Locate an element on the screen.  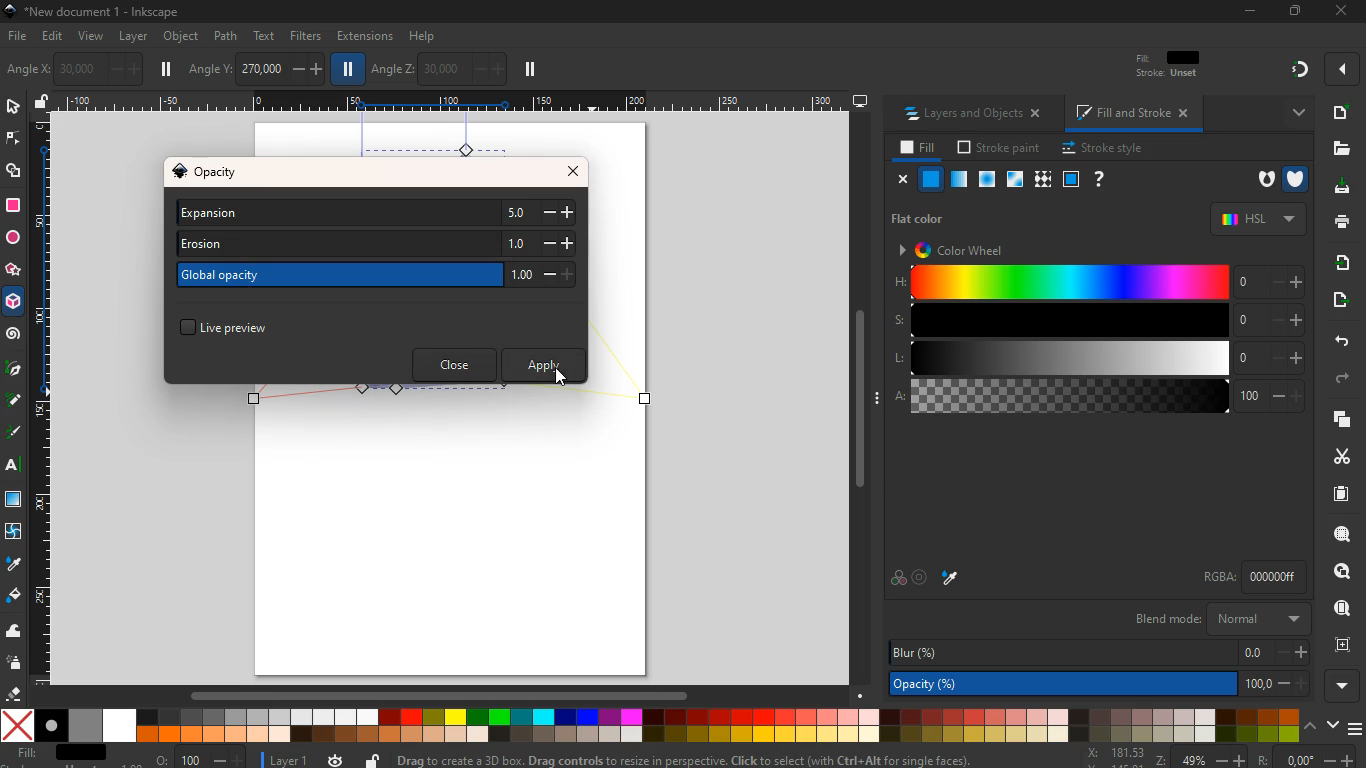
path is located at coordinates (226, 35).